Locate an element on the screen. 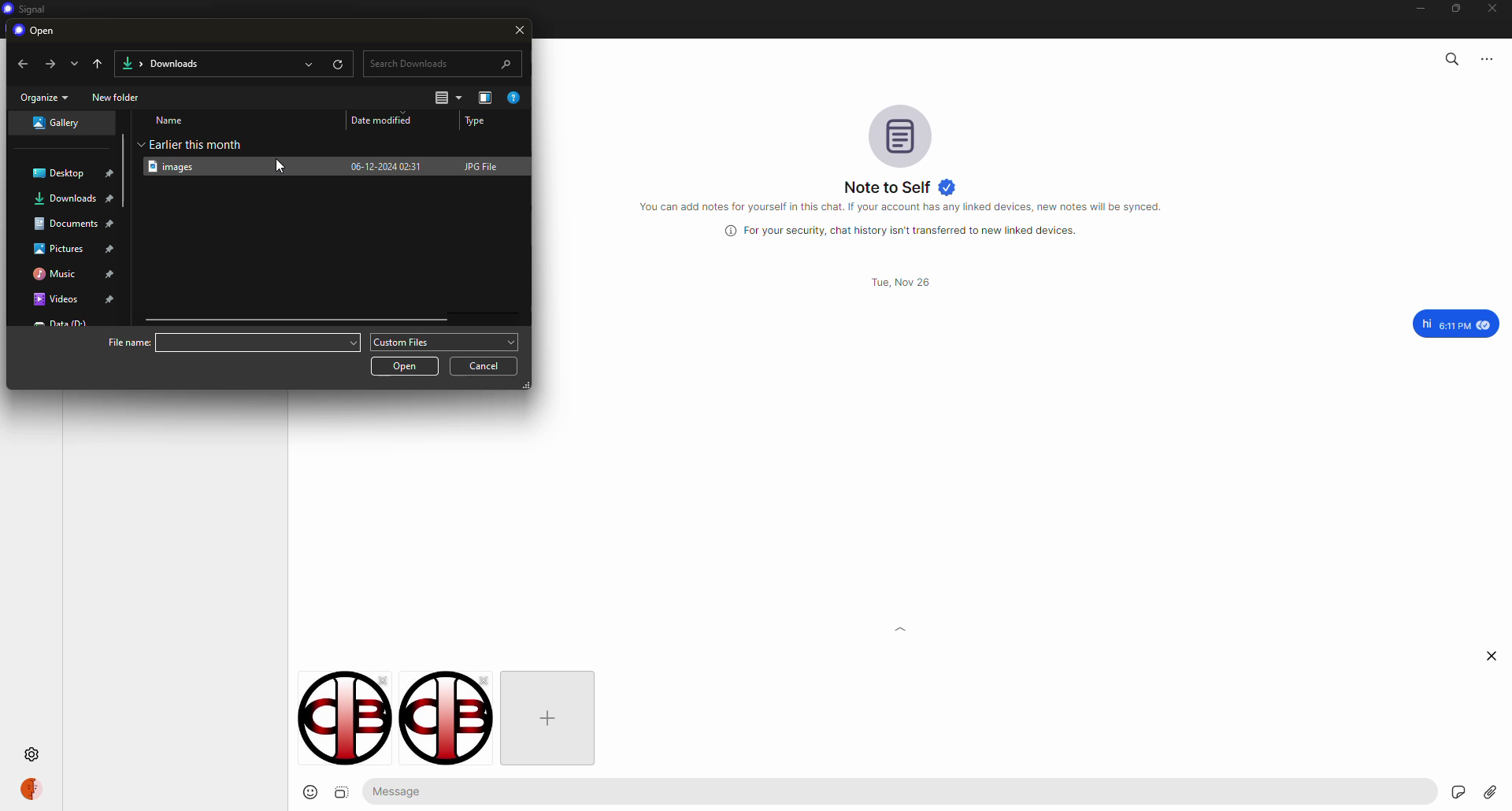 Image resolution: width=1512 pixels, height=811 pixels. remove is located at coordinates (489, 680).